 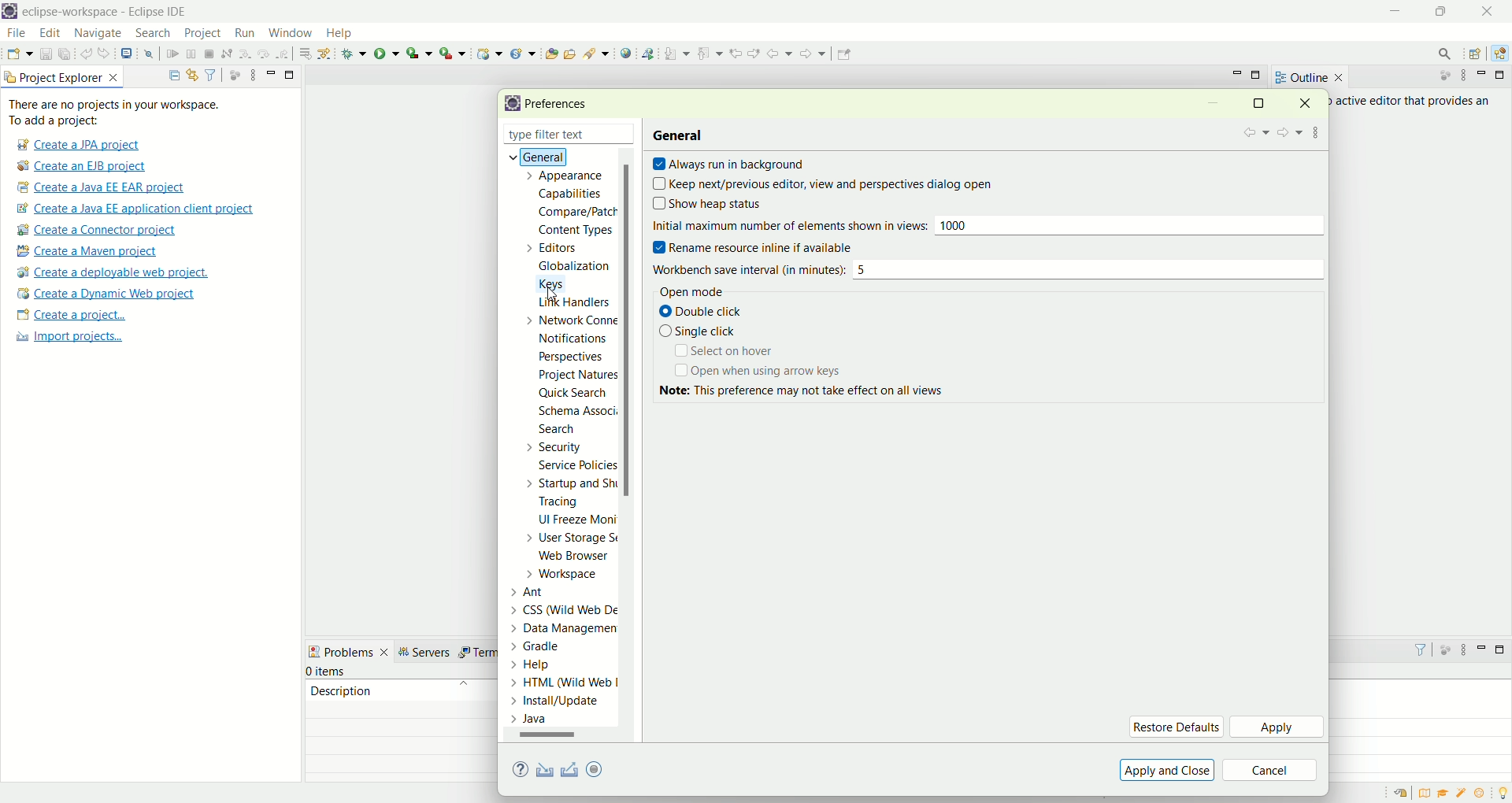 I want to click on tip of the day, so click(x=1503, y=791).